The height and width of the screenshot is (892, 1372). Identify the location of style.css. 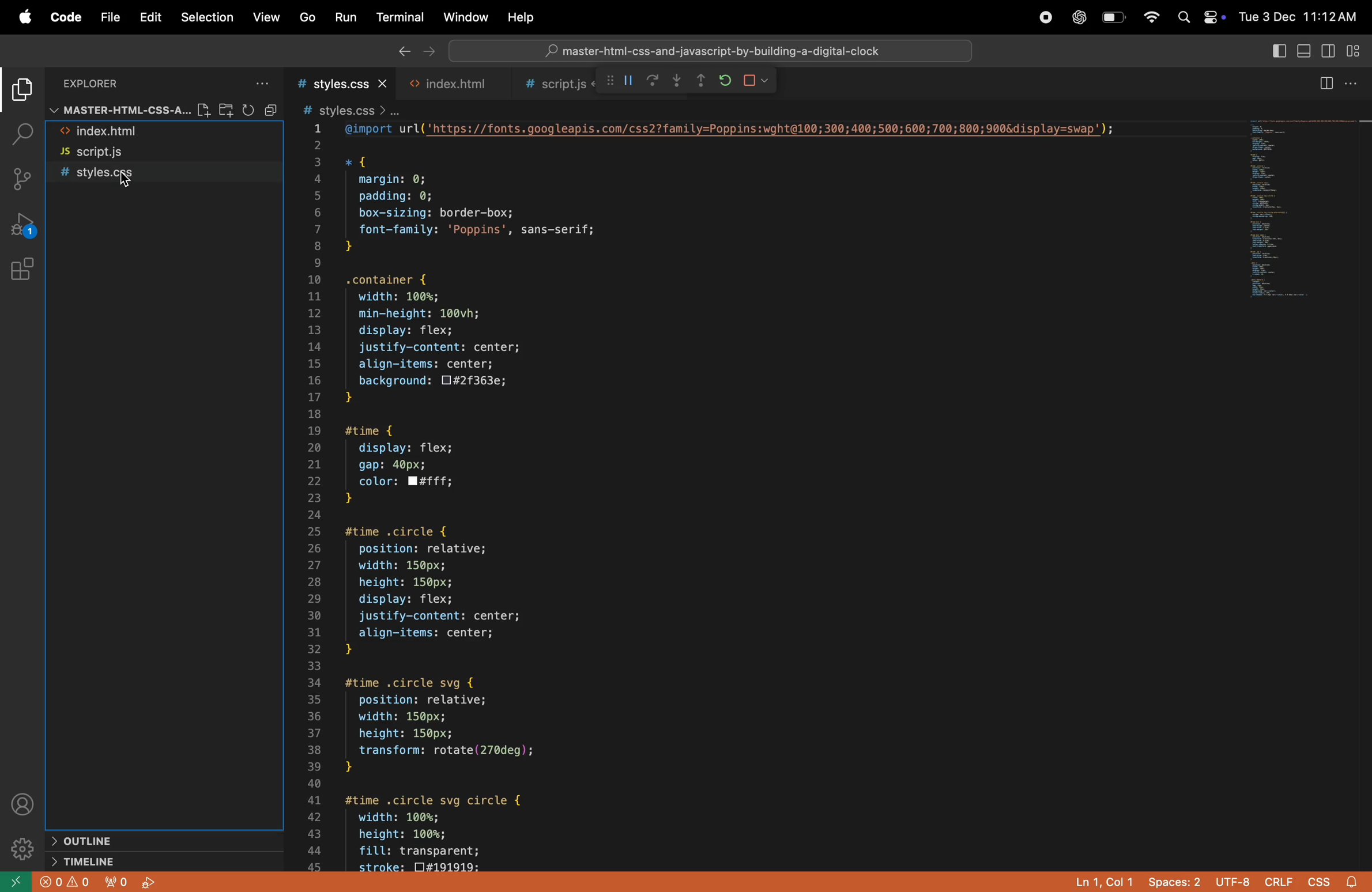
(119, 175).